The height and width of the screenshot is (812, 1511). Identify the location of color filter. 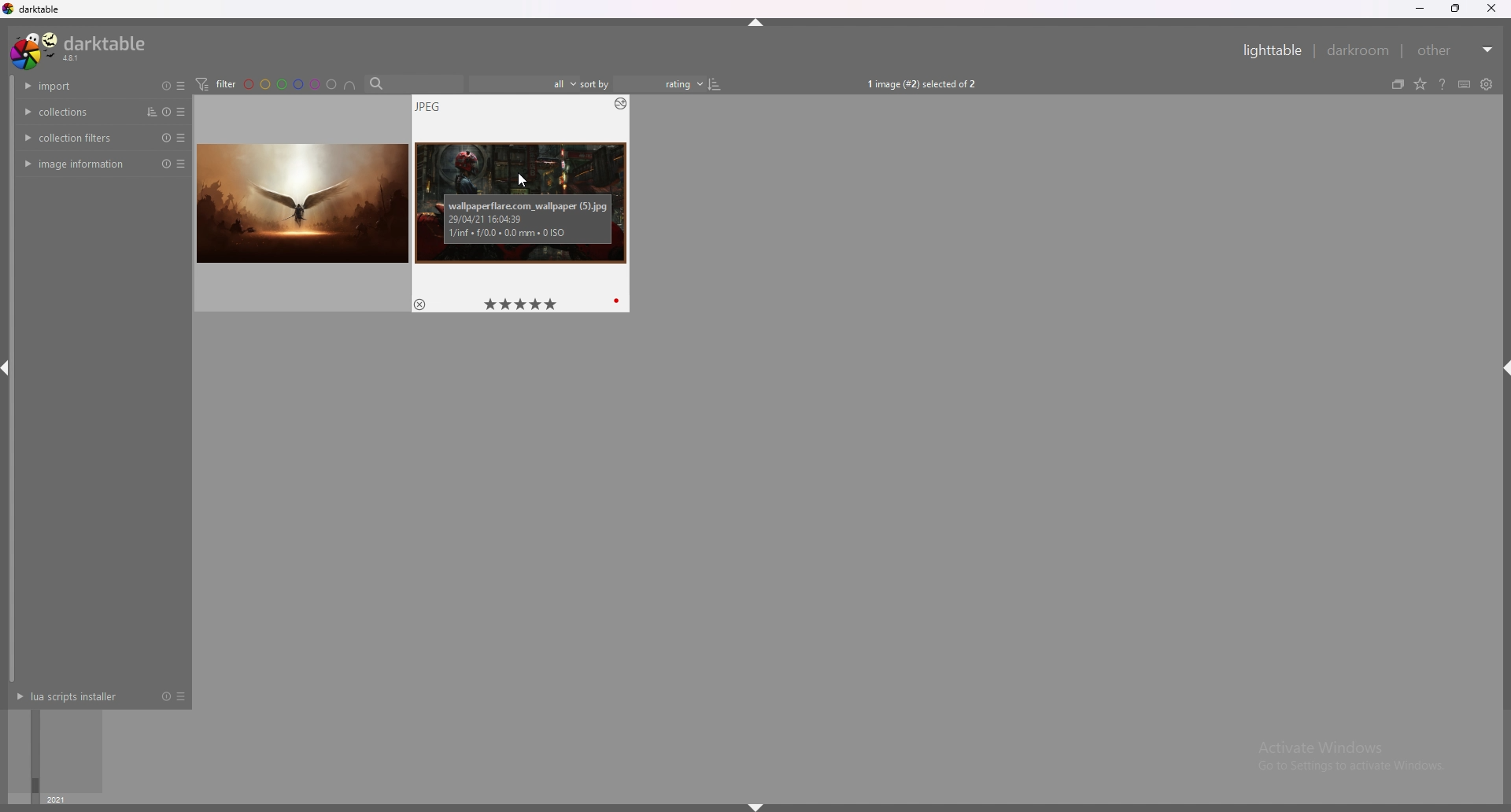
(290, 85).